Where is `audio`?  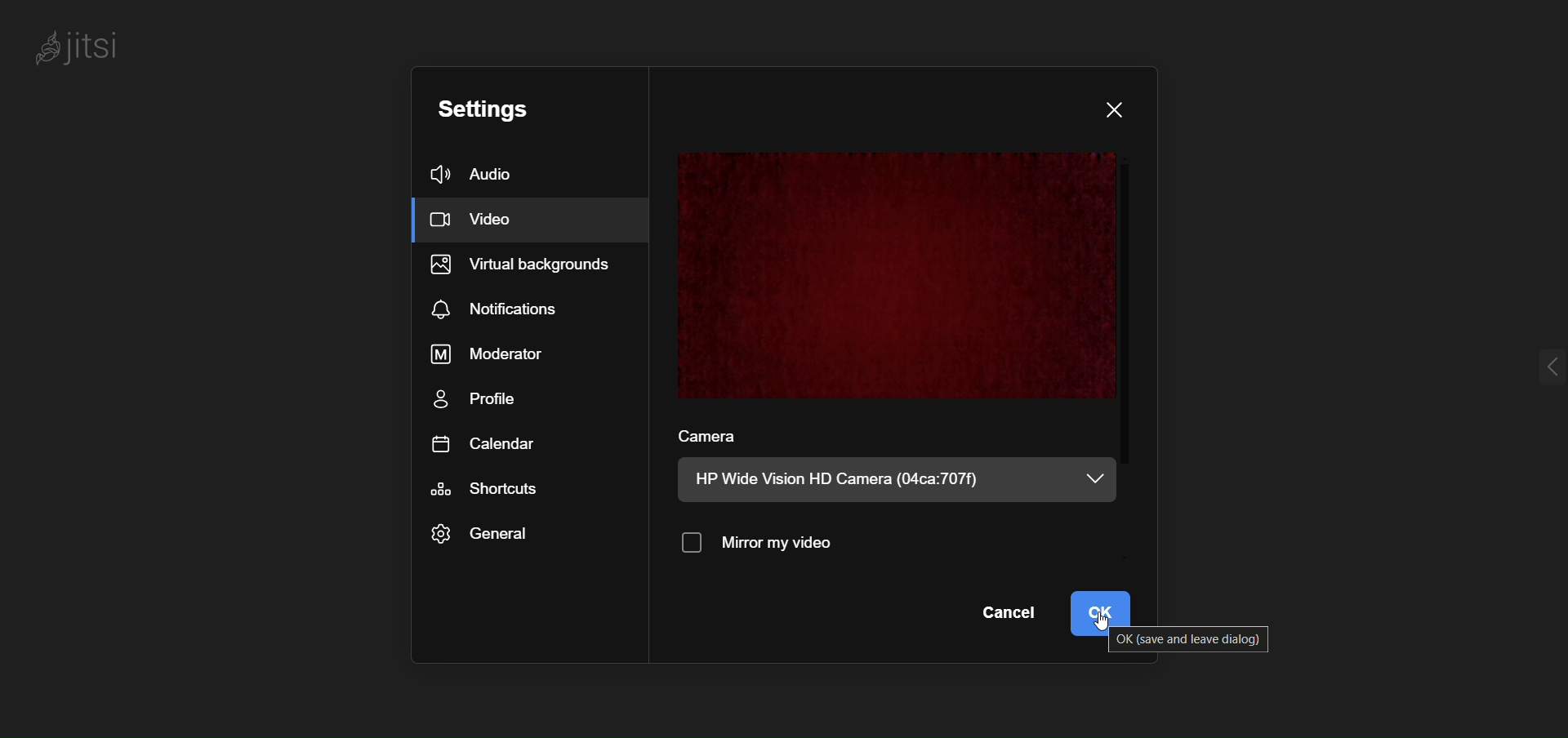
audio is located at coordinates (482, 172).